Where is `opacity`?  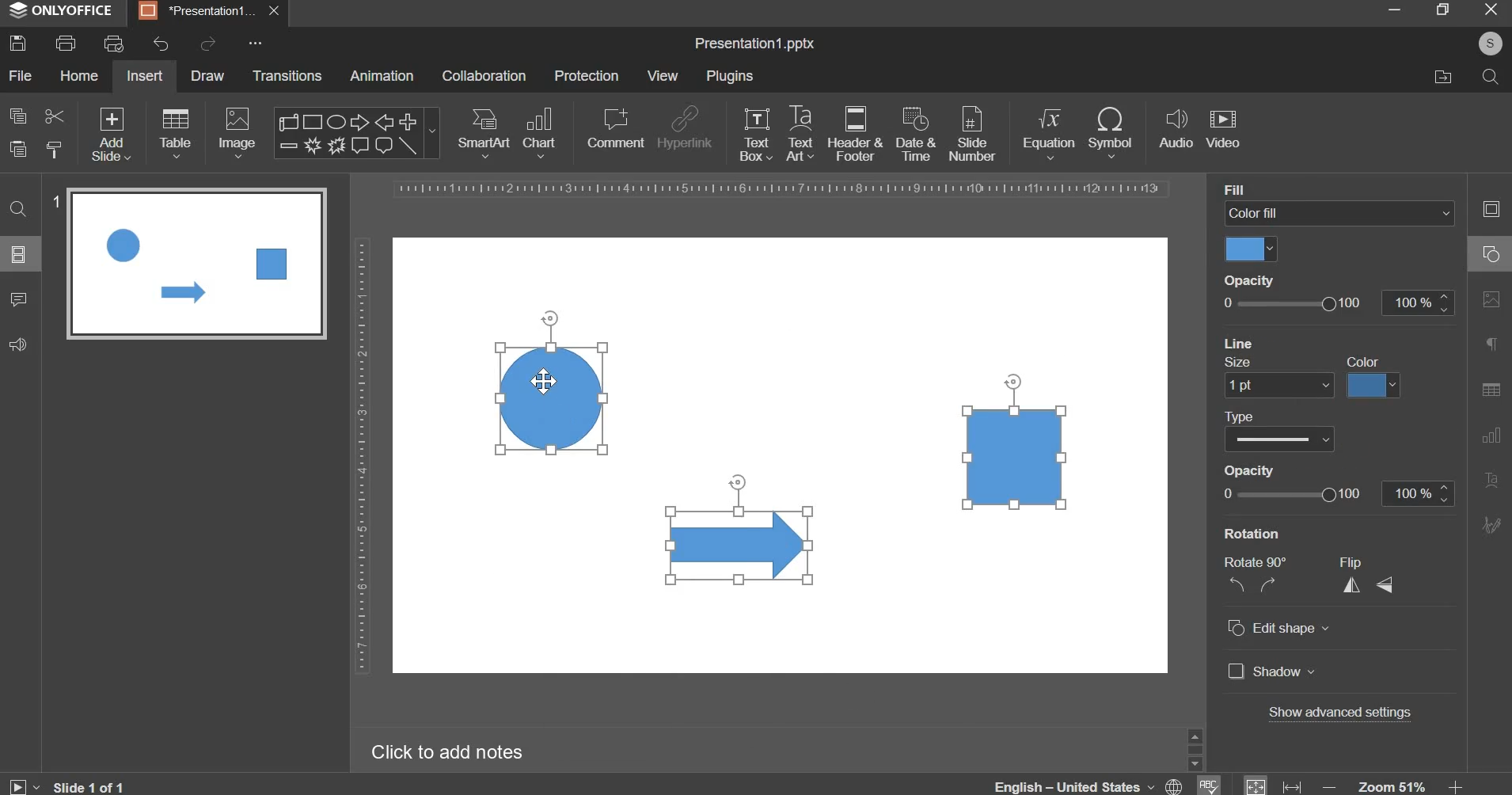
opacity is located at coordinates (1252, 280).